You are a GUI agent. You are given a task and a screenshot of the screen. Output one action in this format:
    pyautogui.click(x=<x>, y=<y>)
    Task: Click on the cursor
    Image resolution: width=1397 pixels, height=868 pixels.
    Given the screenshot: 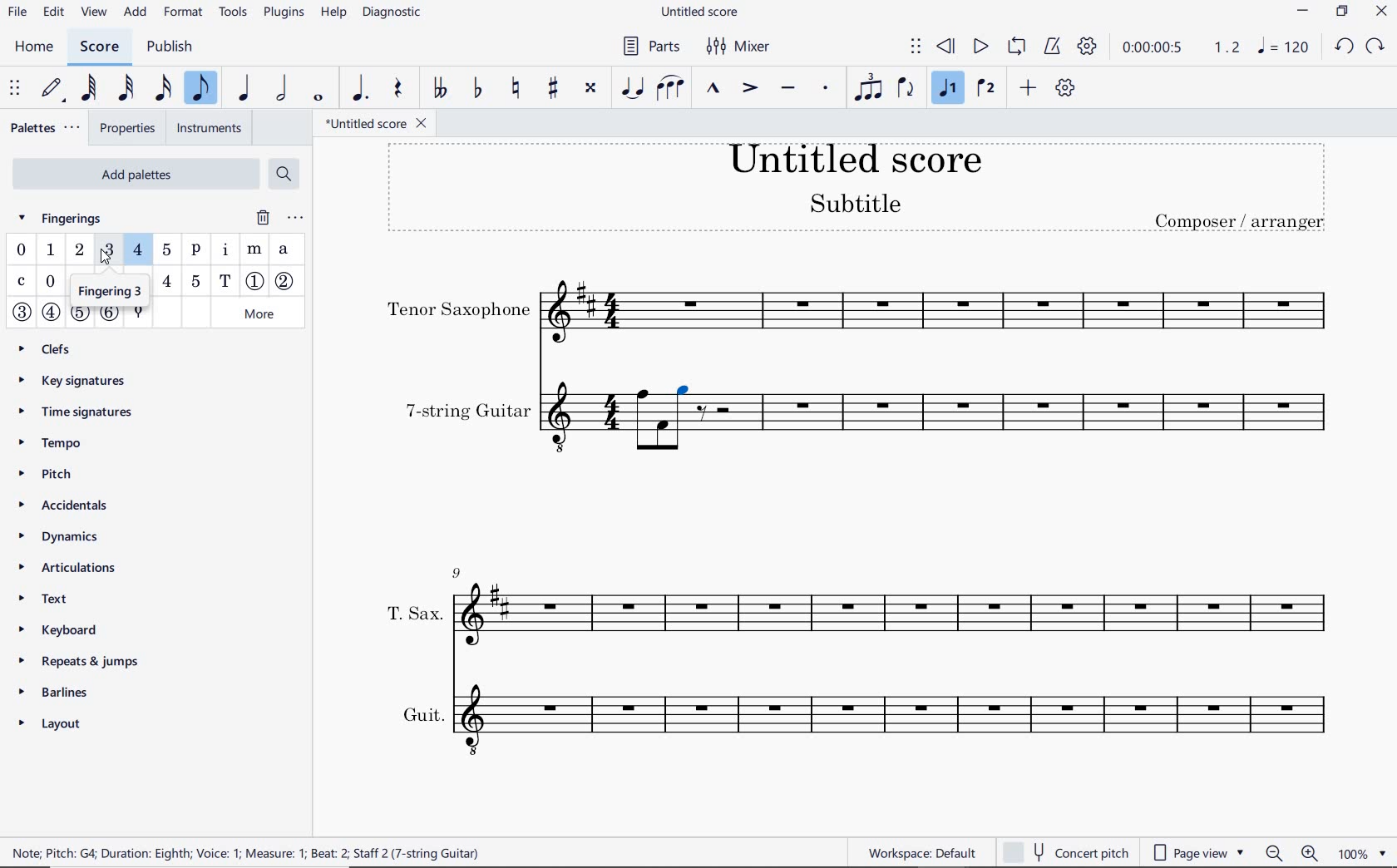 What is the action you would take?
    pyautogui.click(x=104, y=259)
    